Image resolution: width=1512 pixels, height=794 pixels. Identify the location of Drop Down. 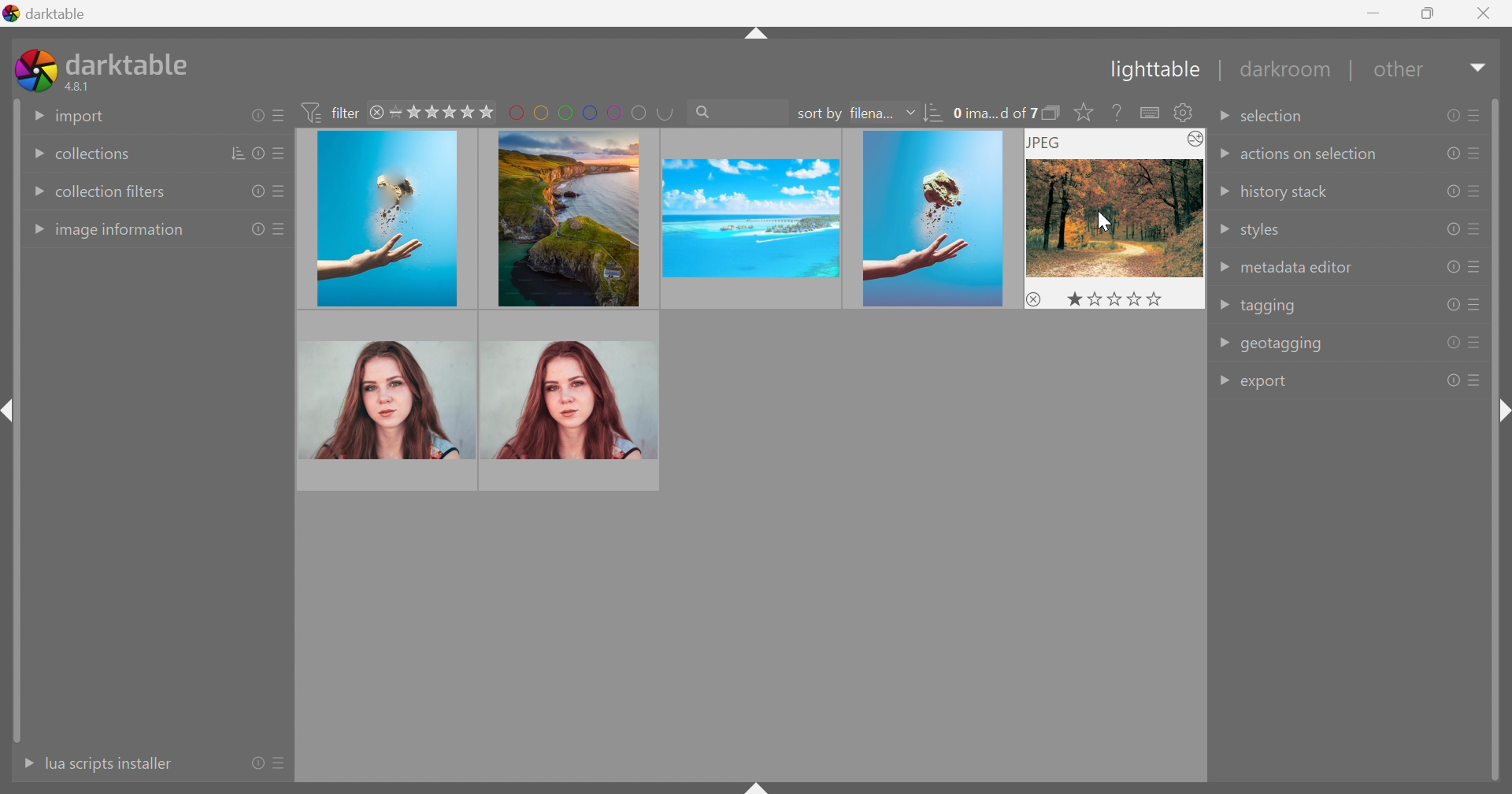
(1218, 342).